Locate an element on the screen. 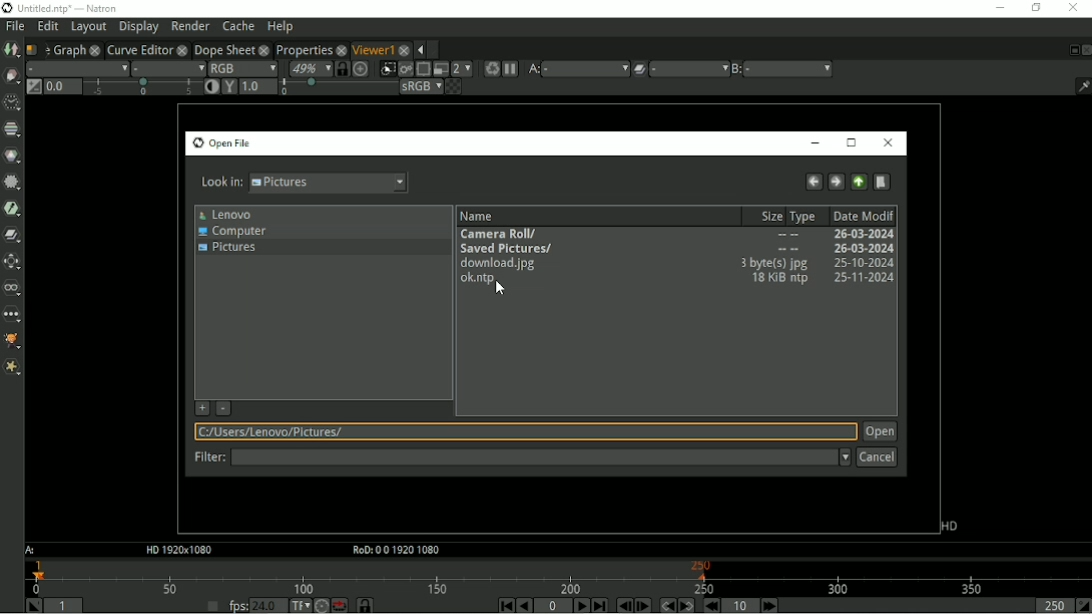 The height and width of the screenshot is (614, 1092). Channel is located at coordinates (12, 130).